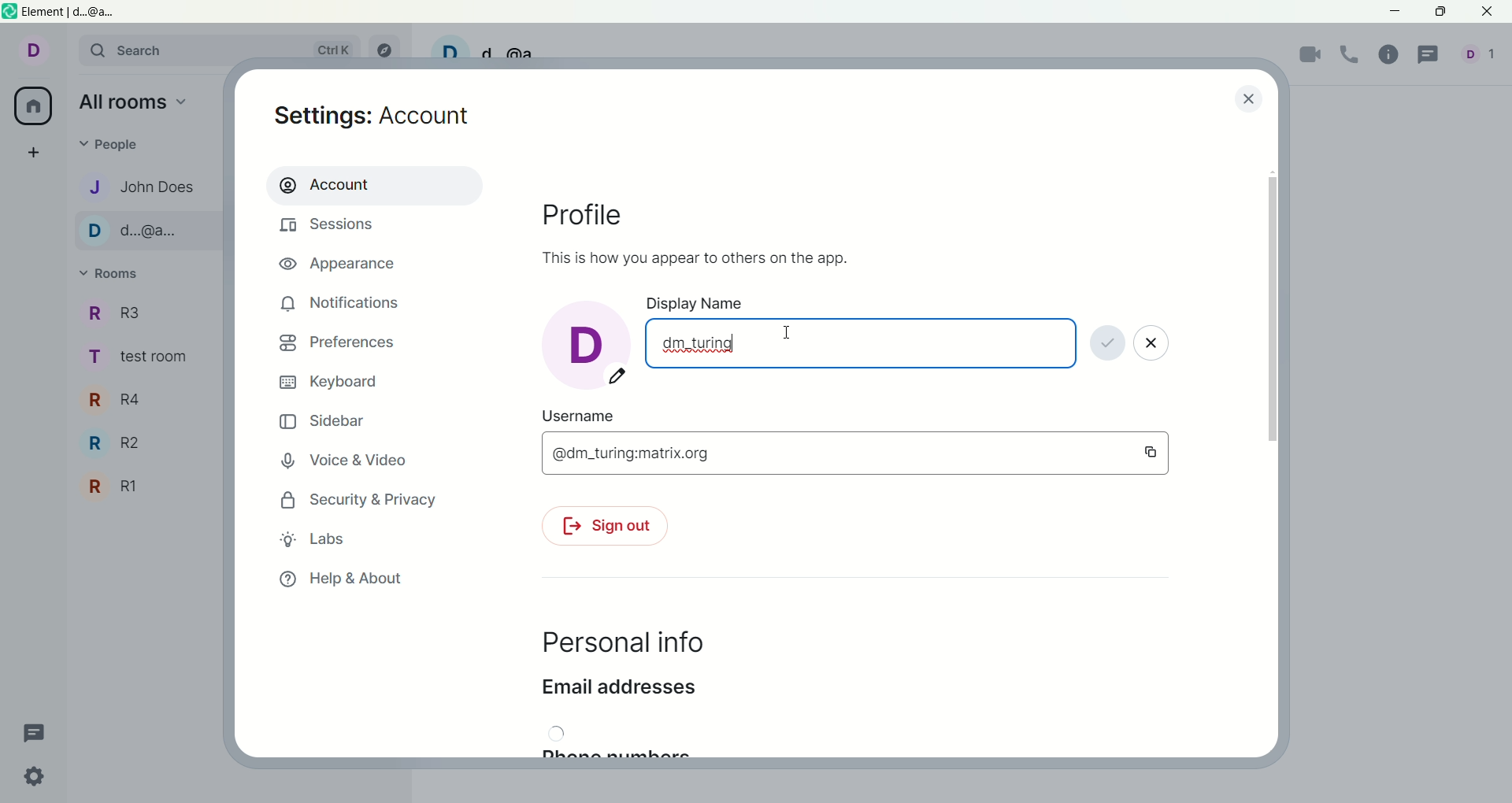  What do you see at coordinates (389, 50) in the screenshot?
I see `explore rooms` at bounding box center [389, 50].